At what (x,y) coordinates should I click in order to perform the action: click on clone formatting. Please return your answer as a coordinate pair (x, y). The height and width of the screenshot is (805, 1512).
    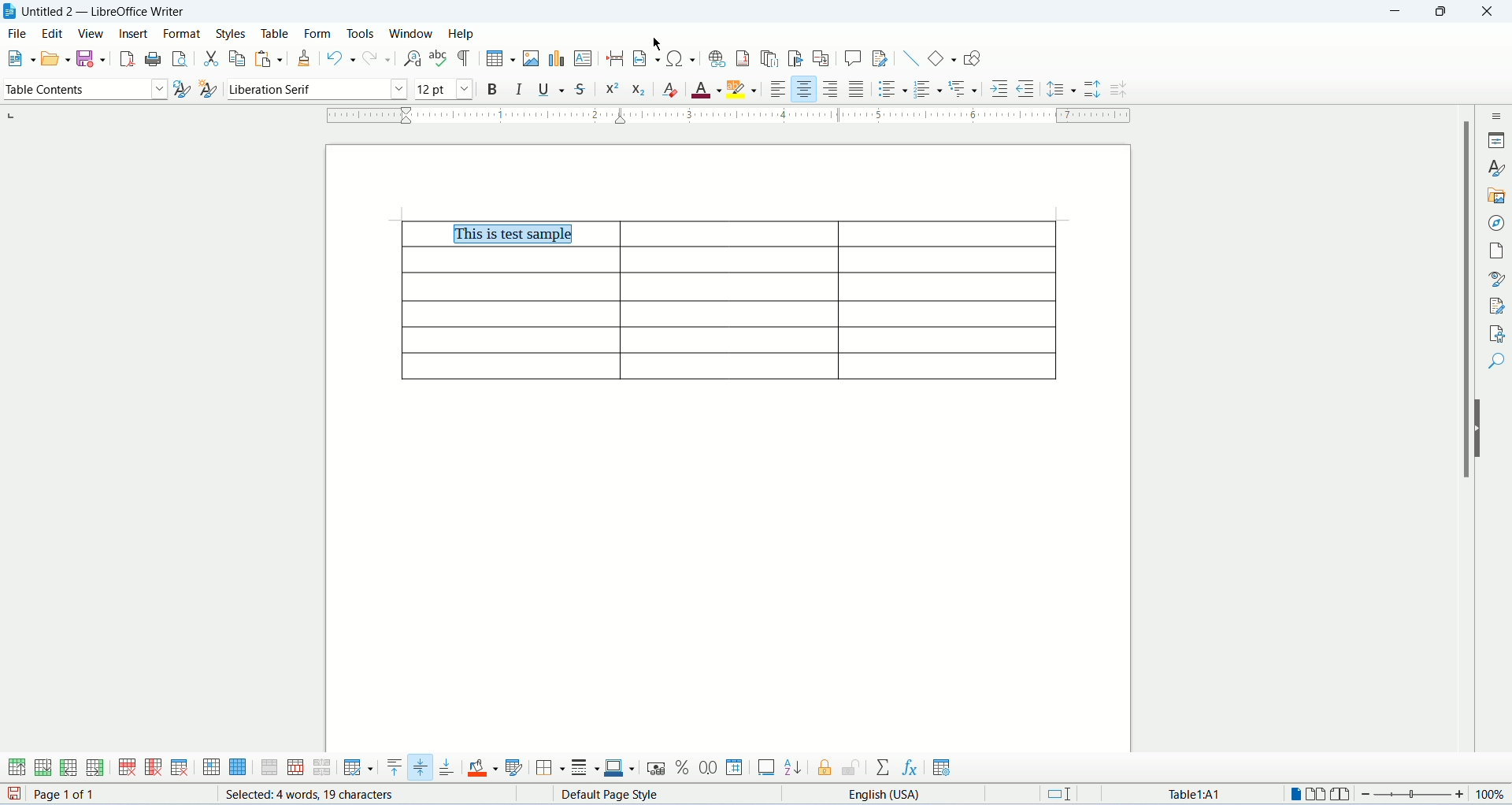
    Looking at the image, I should click on (306, 57).